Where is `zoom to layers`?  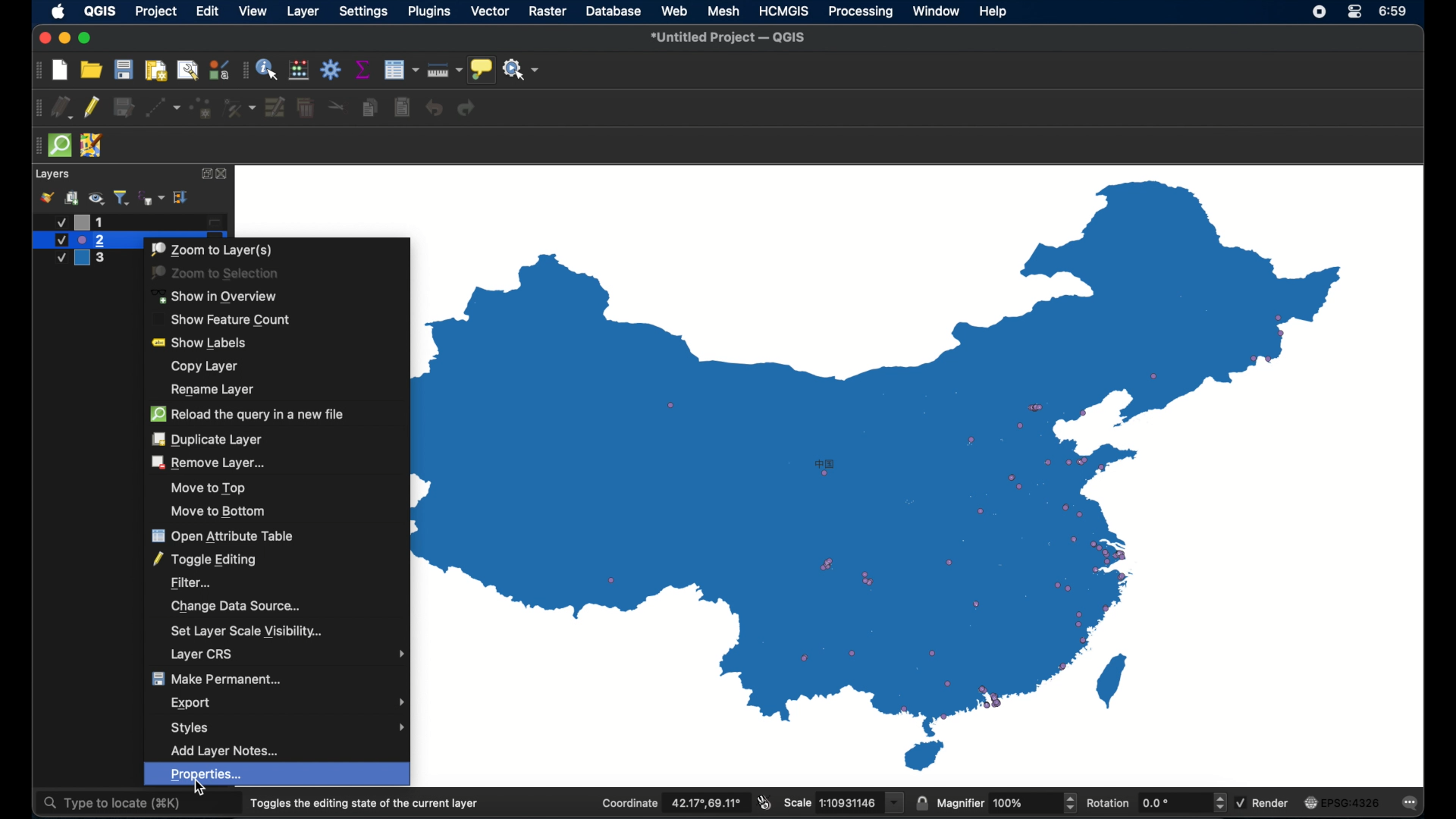
zoom to layers is located at coordinates (213, 249).